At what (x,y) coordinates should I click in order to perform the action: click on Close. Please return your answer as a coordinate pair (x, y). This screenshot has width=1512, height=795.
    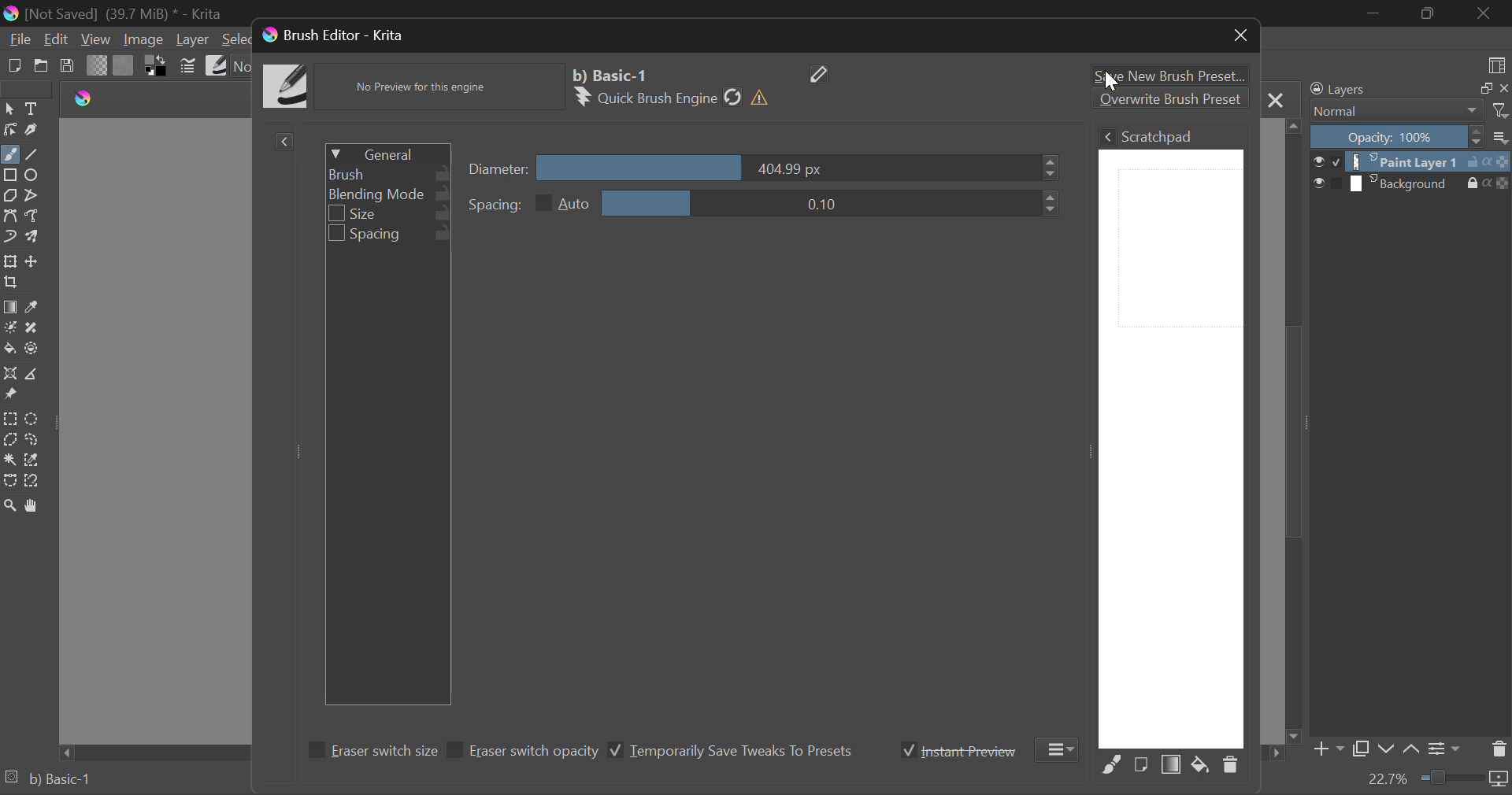
    Looking at the image, I should click on (1276, 99).